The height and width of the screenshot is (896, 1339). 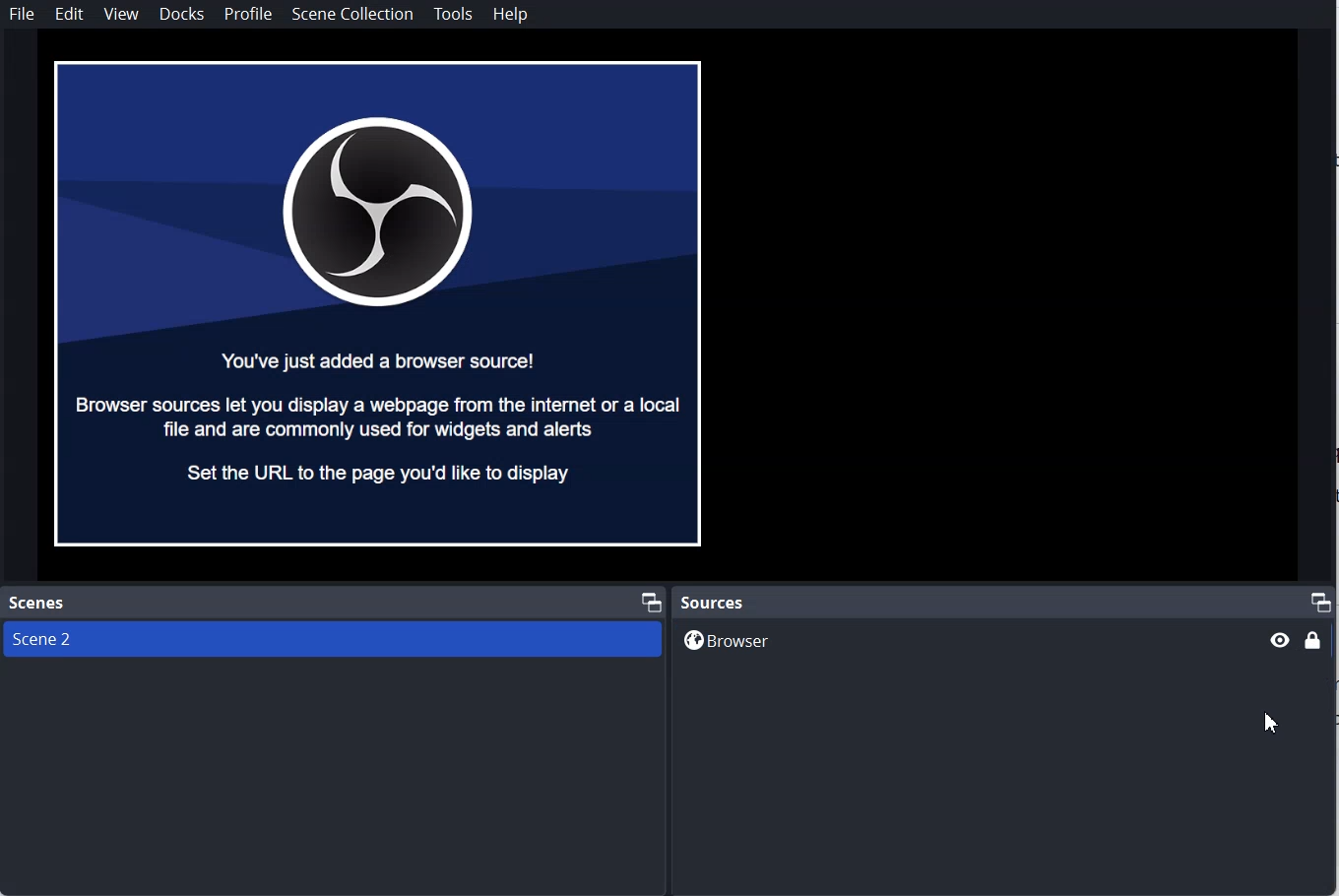 What do you see at coordinates (69, 14) in the screenshot?
I see `Edit` at bounding box center [69, 14].